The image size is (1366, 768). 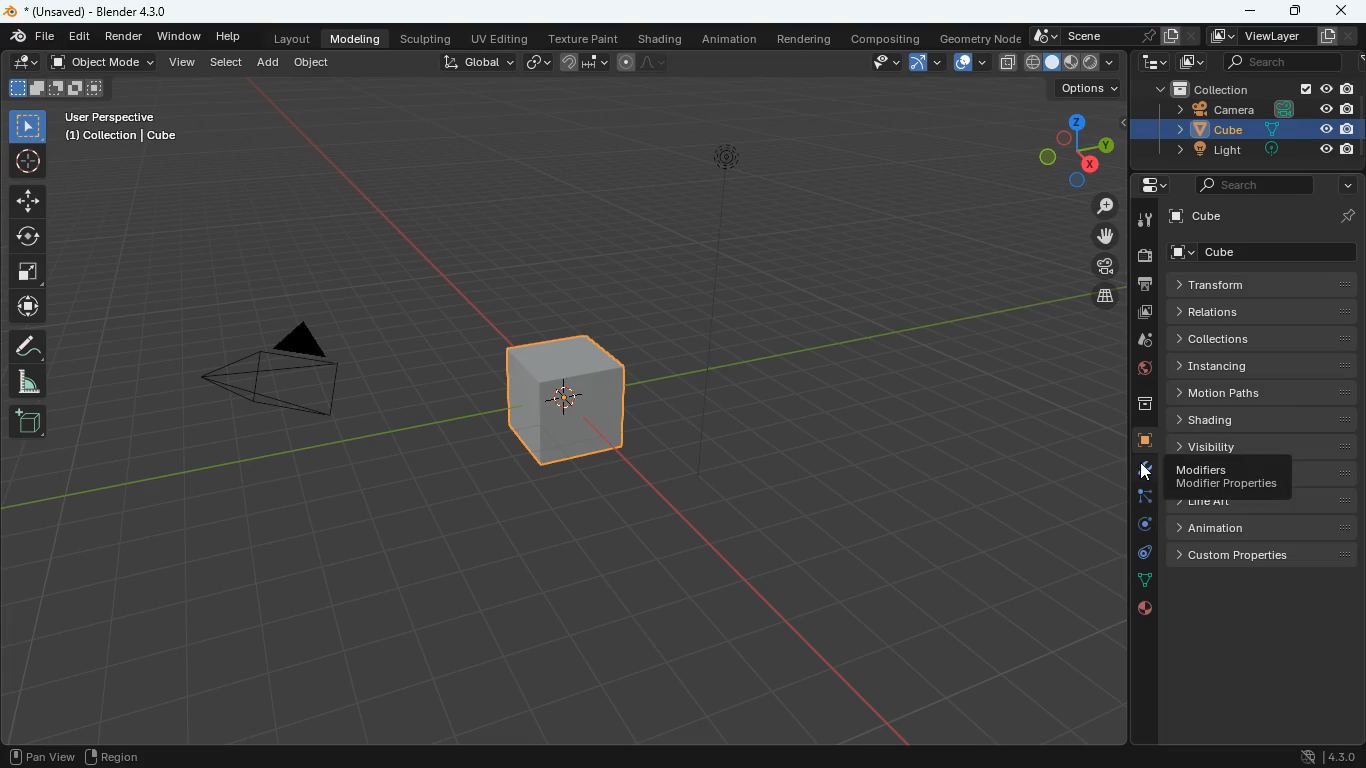 What do you see at coordinates (32, 37) in the screenshot?
I see `file` at bounding box center [32, 37].